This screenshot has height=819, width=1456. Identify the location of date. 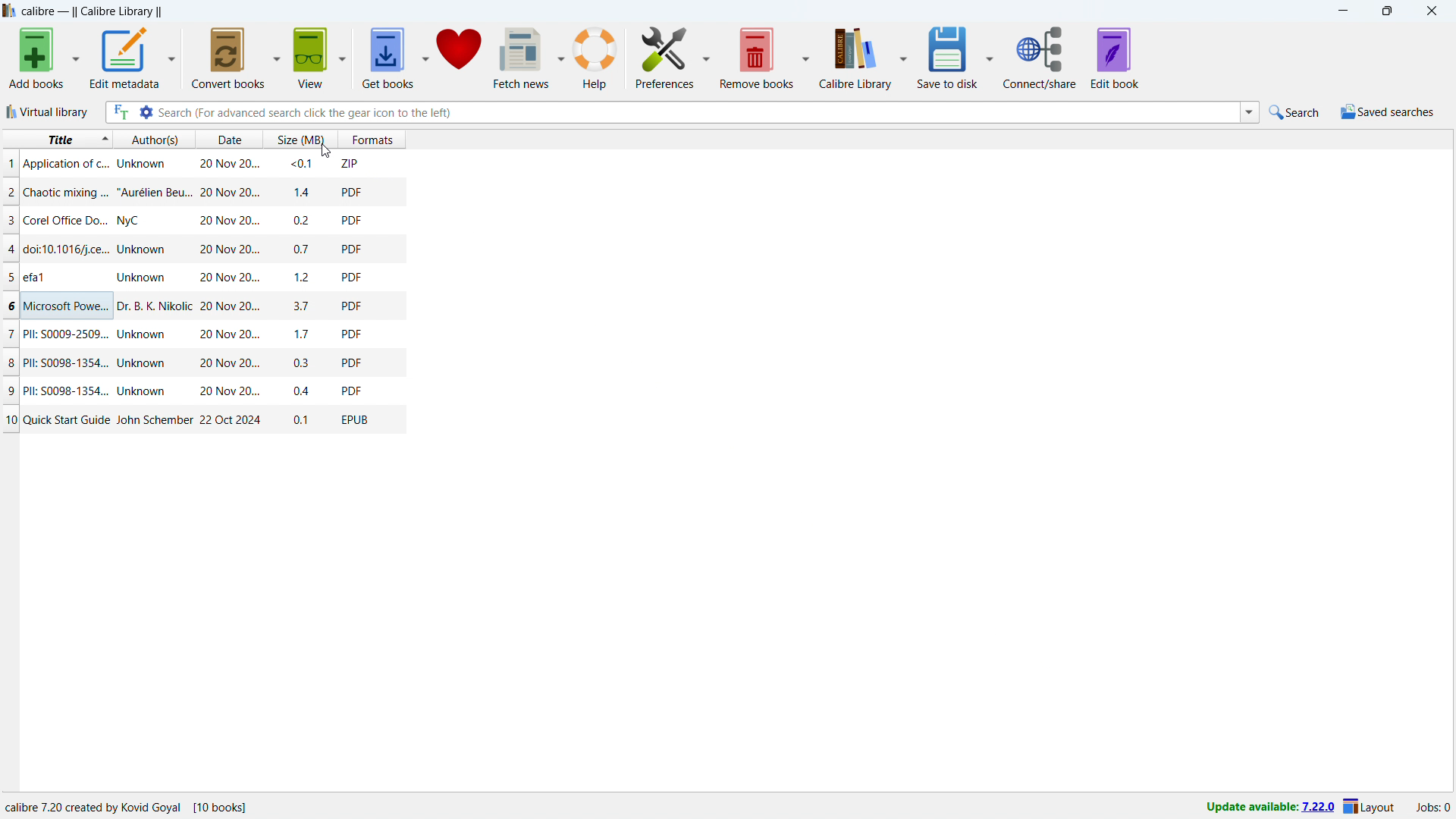
(227, 162).